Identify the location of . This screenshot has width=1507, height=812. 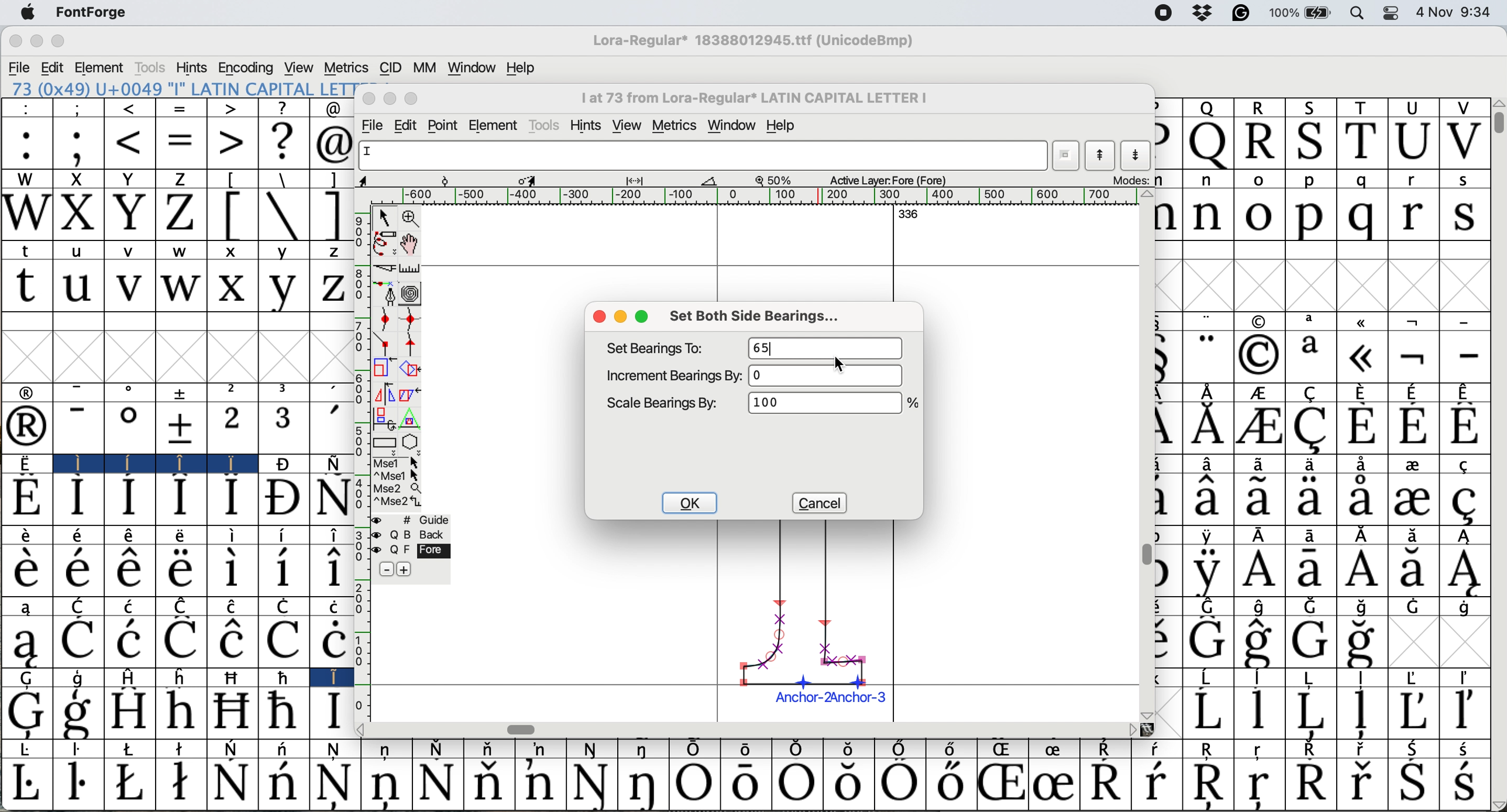
(528, 180).